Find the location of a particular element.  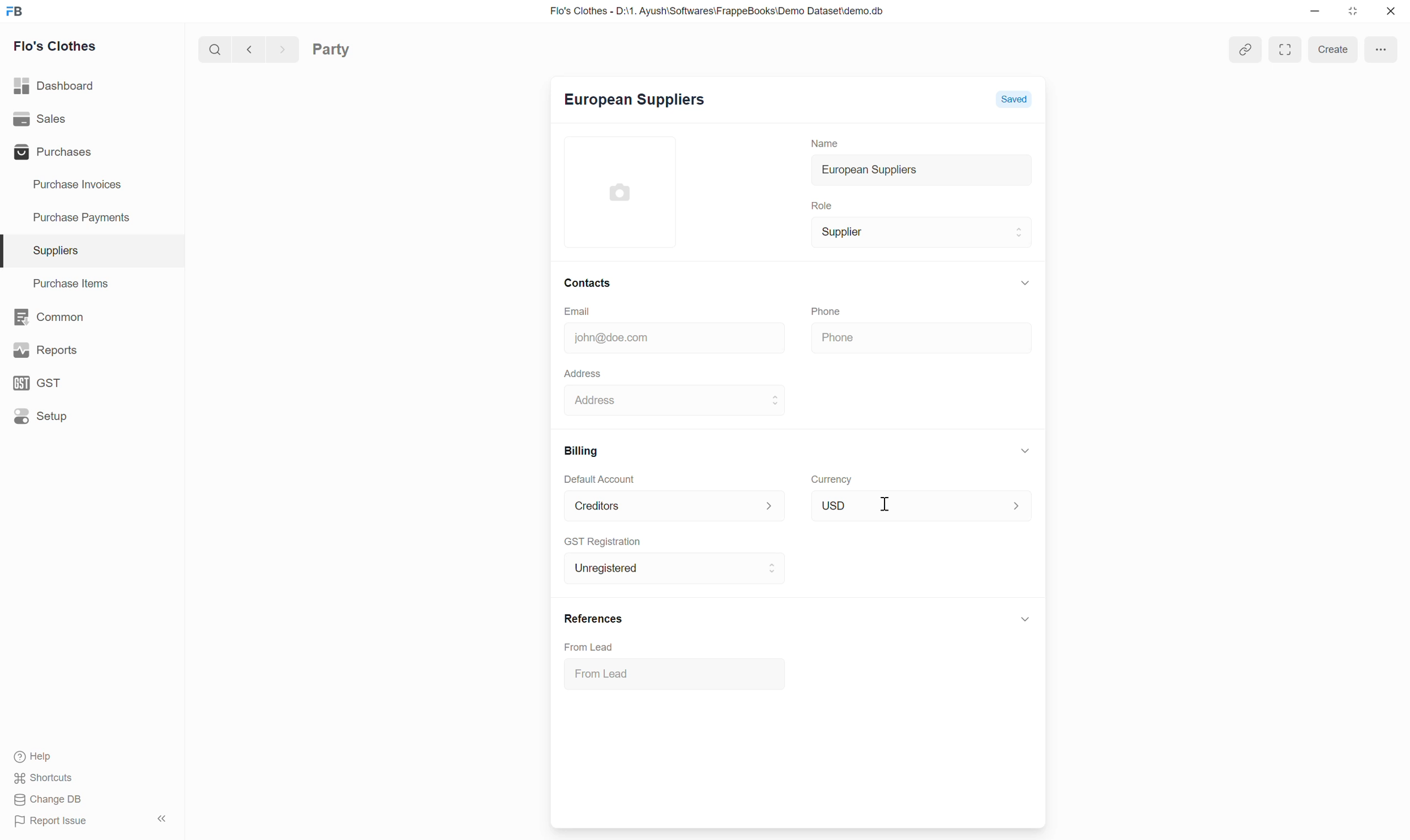

Role is located at coordinates (817, 204).